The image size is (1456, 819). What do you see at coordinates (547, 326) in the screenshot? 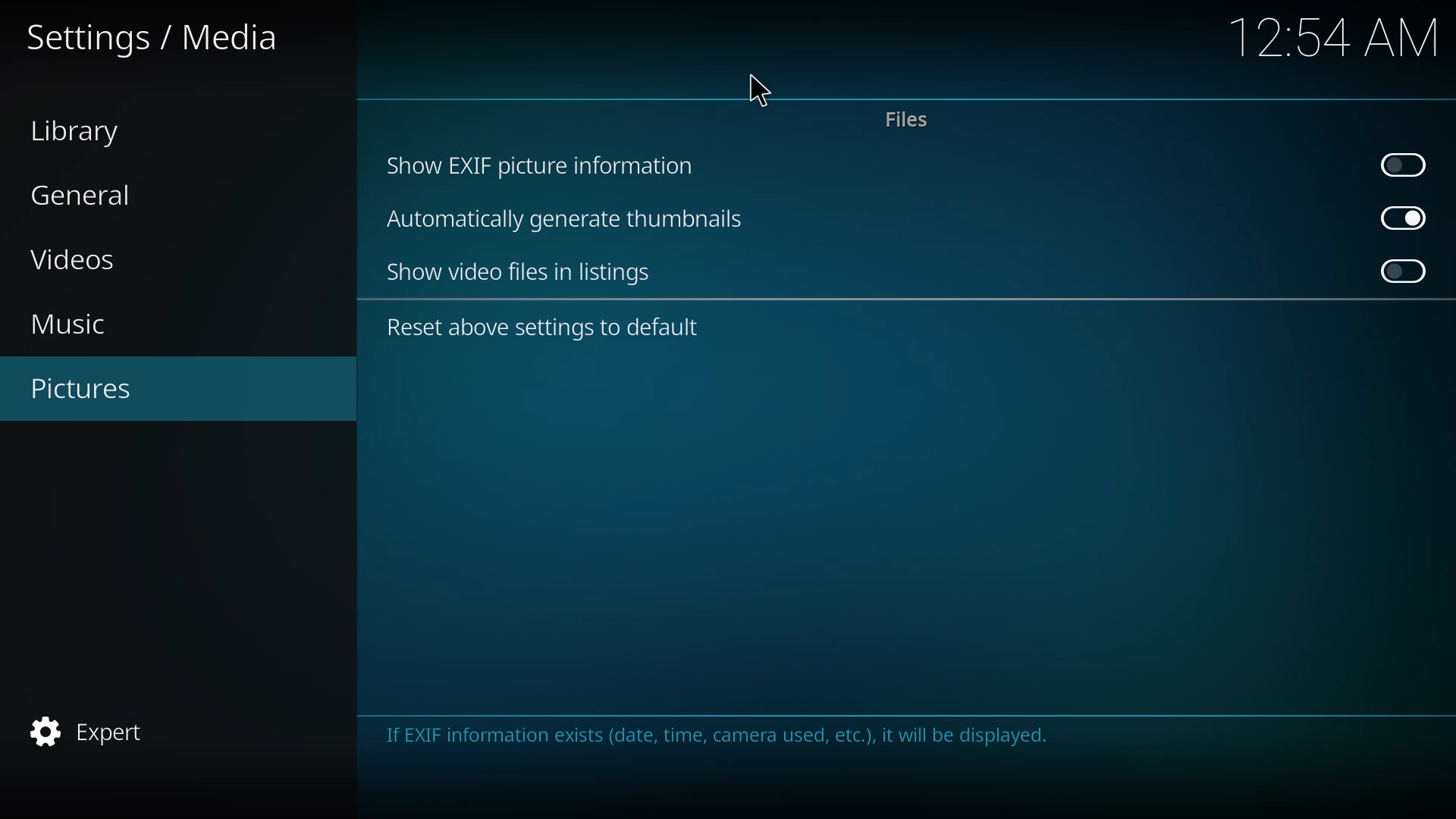
I see `reset above settings to default` at bounding box center [547, 326].